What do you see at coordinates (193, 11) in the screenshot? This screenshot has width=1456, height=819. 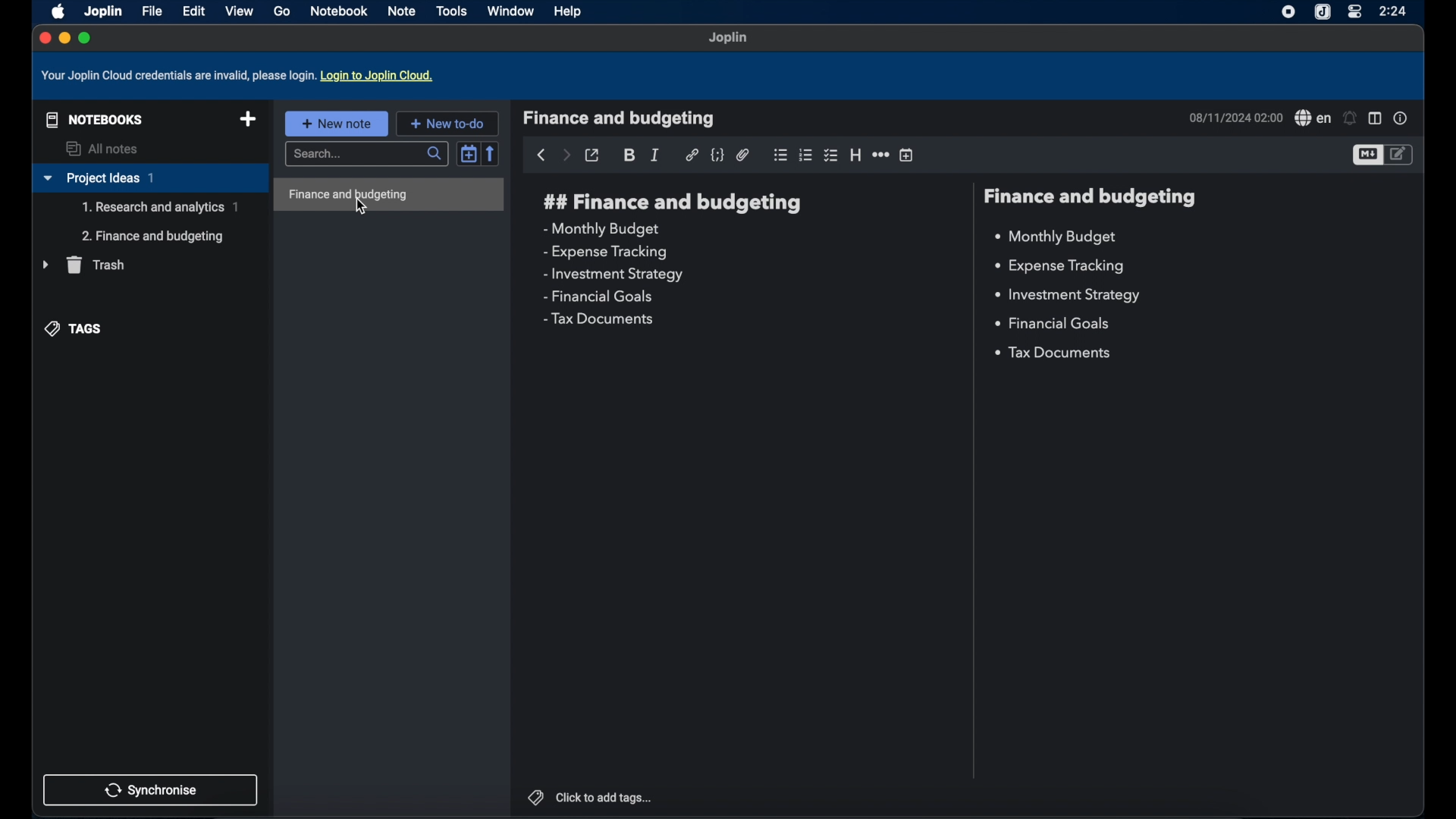 I see `edit` at bounding box center [193, 11].